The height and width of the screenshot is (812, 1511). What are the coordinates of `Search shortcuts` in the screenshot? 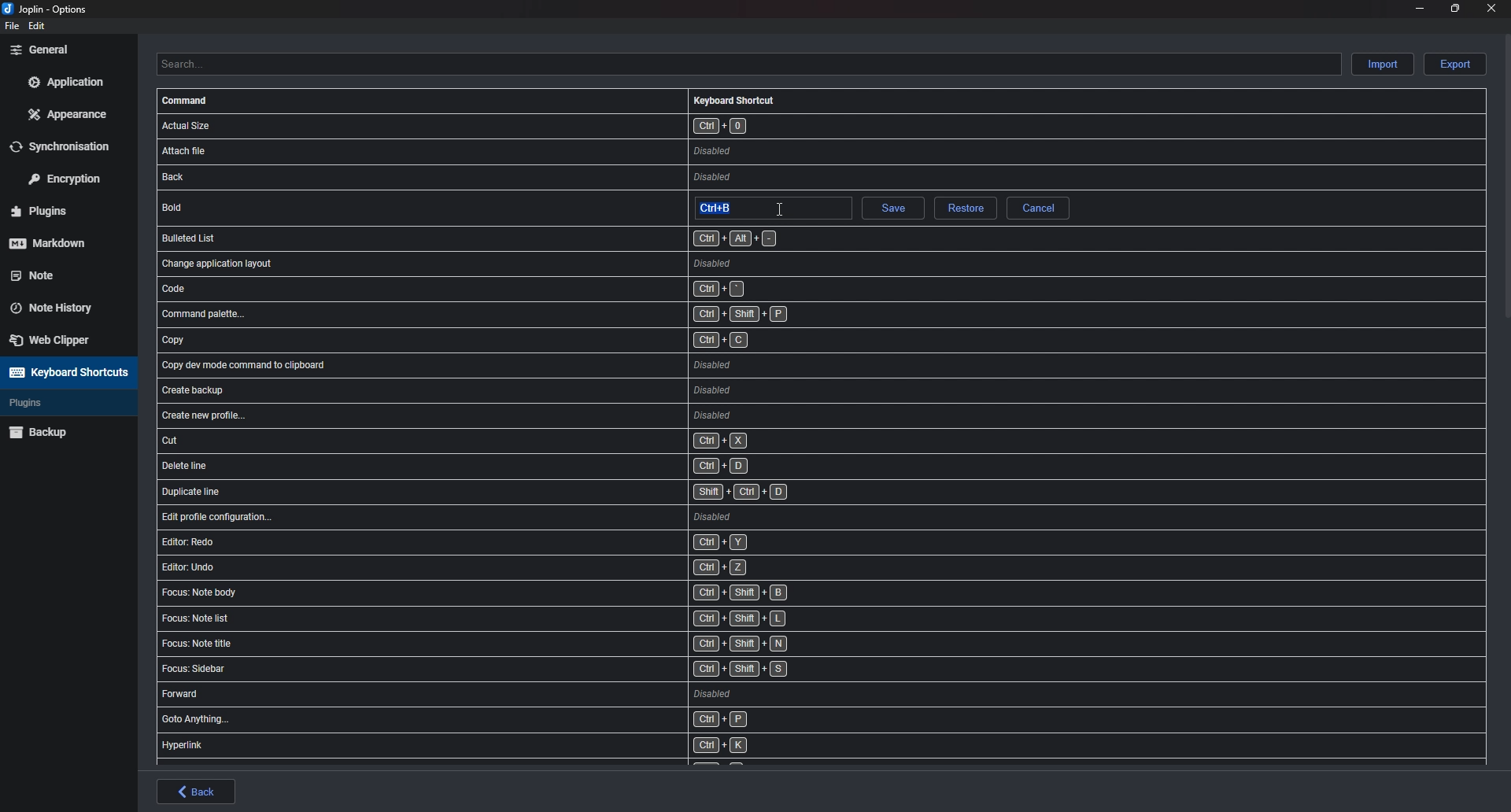 It's located at (748, 64).